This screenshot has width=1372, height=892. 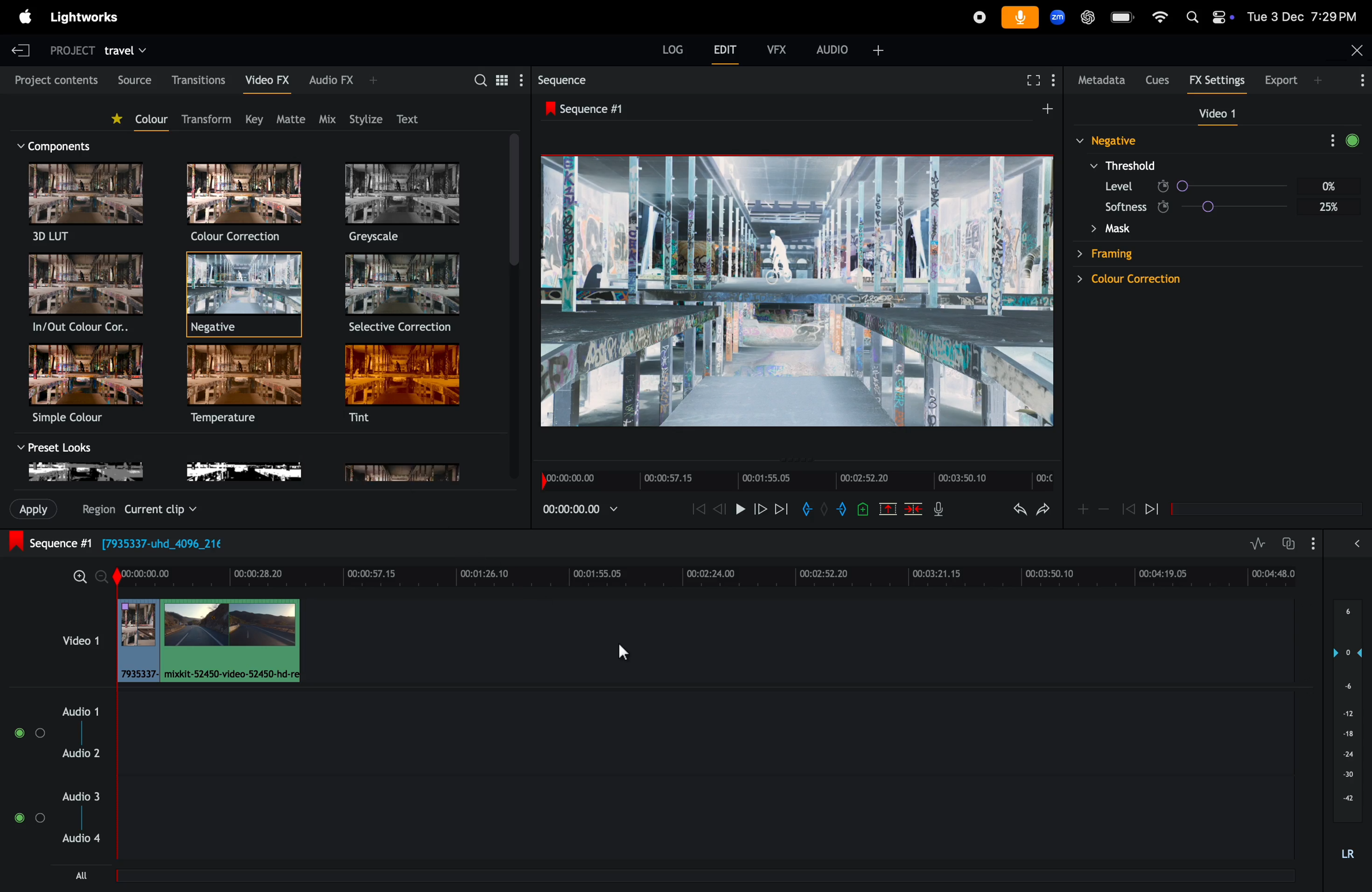 What do you see at coordinates (103, 579) in the screenshot?
I see `zoom in` at bounding box center [103, 579].